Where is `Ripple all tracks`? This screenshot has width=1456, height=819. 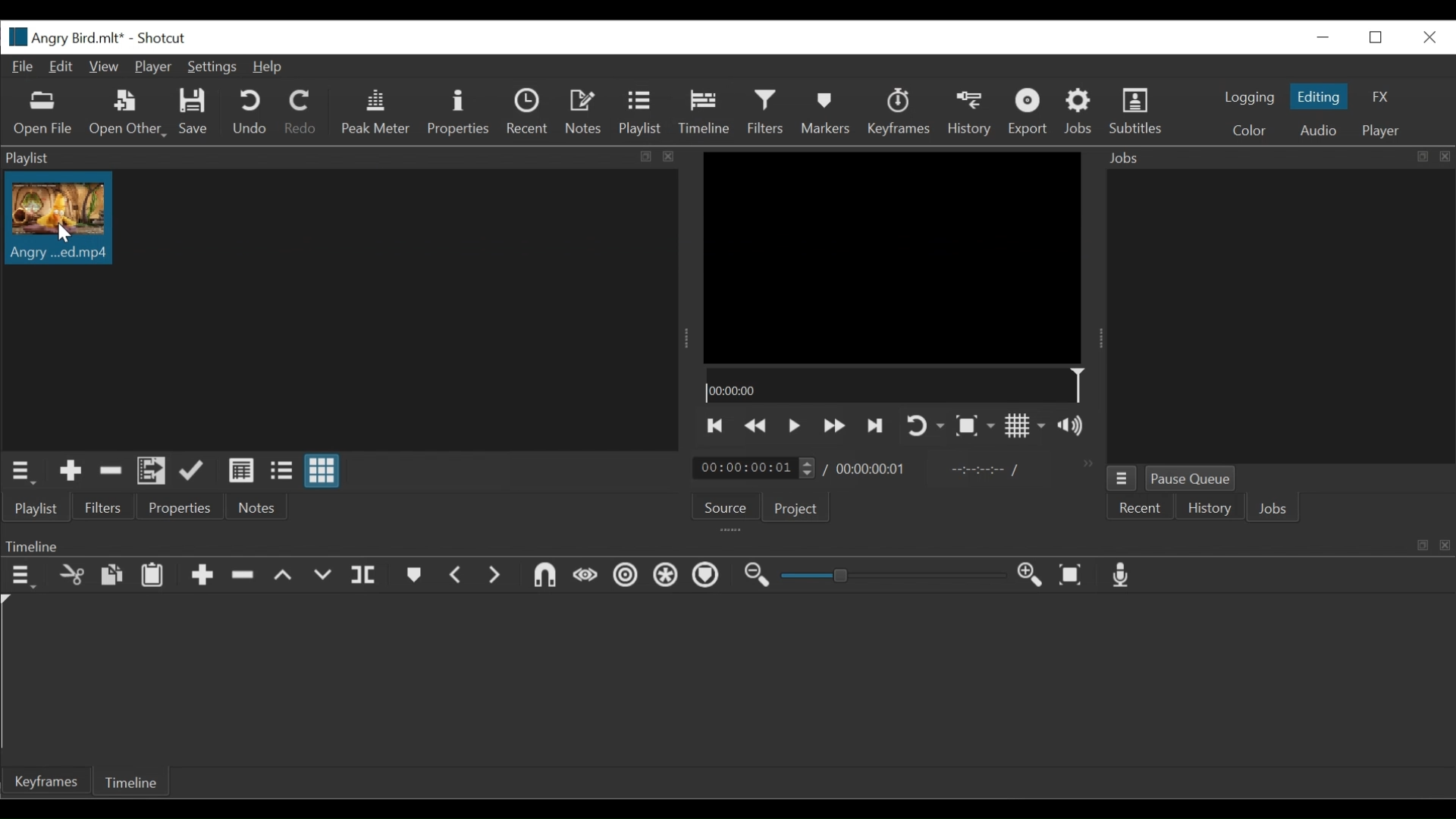 Ripple all tracks is located at coordinates (667, 576).